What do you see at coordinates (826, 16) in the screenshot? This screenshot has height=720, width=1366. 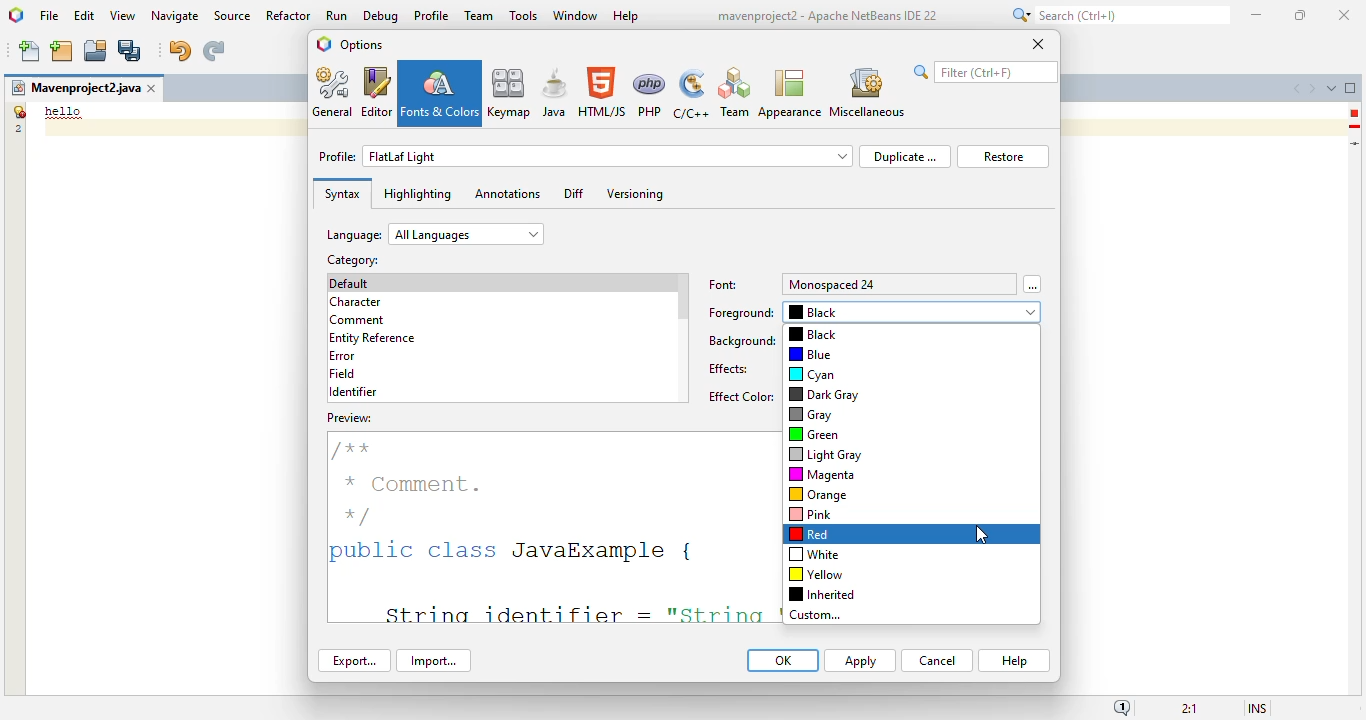 I see `title` at bounding box center [826, 16].